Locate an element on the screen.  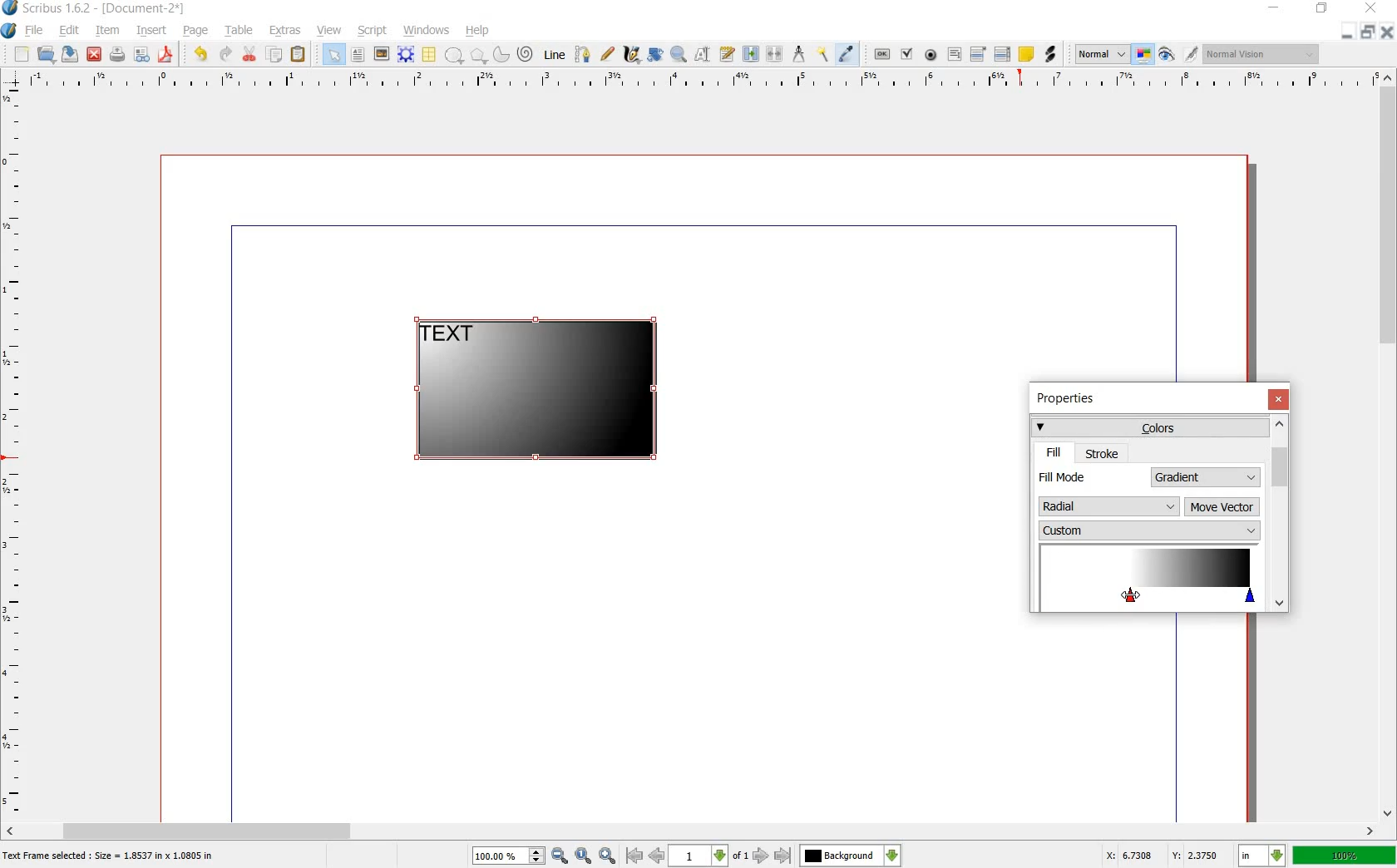
pdf combo box is located at coordinates (979, 53).